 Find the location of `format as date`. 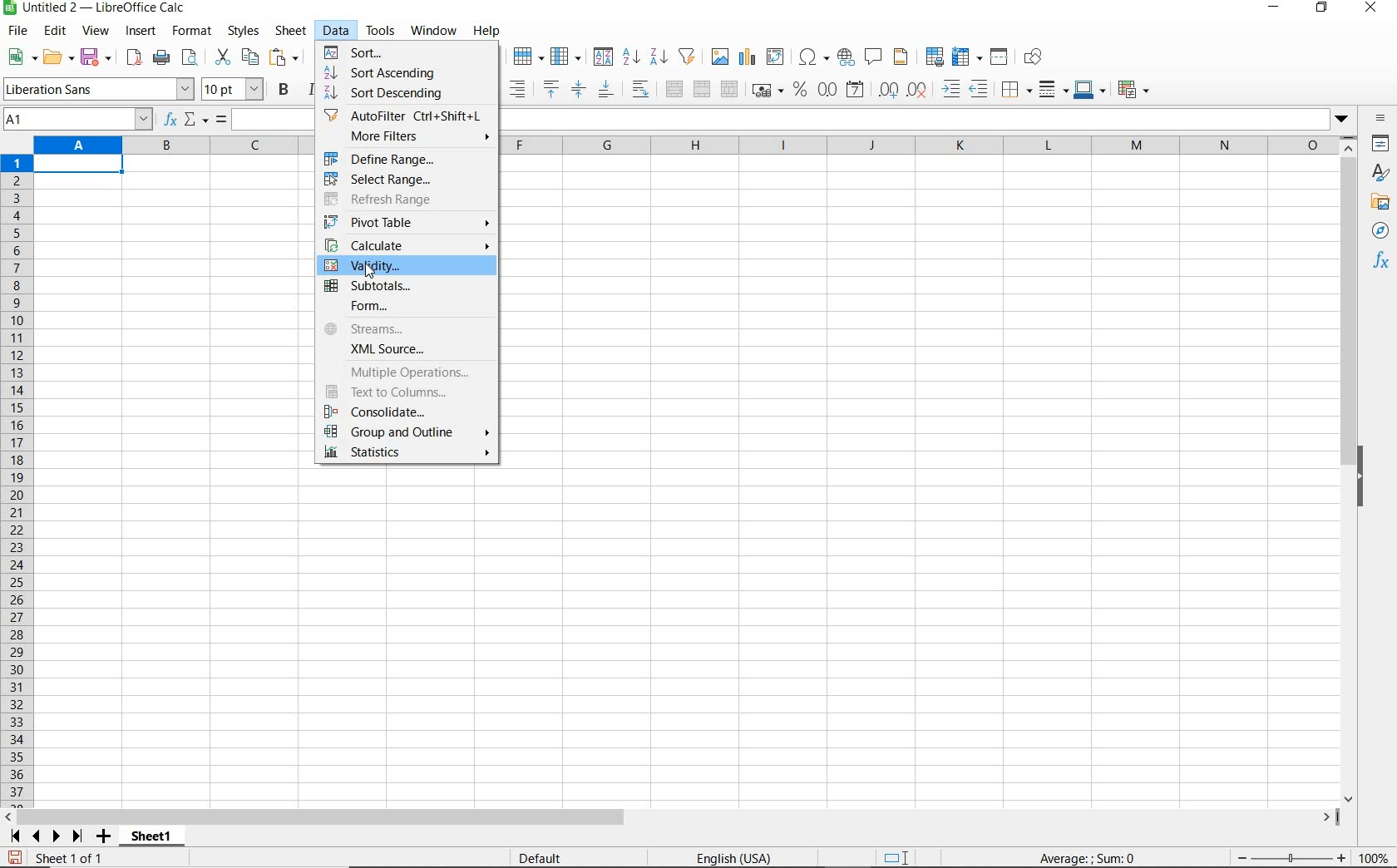

format as date is located at coordinates (856, 89).